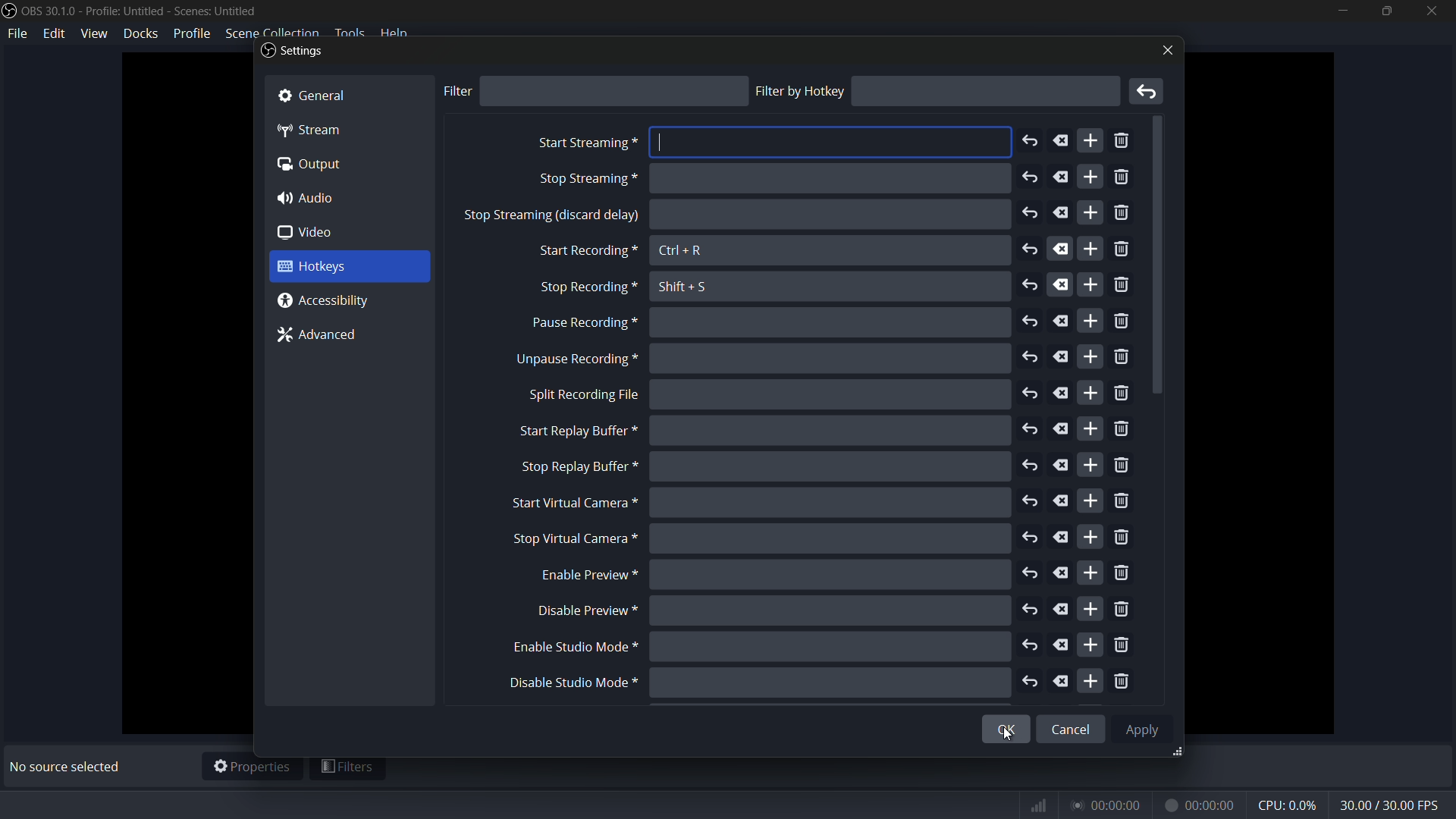  Describe the element at coordinates (551, 217) in the screenshot. I see `stop sreaming` at that location.